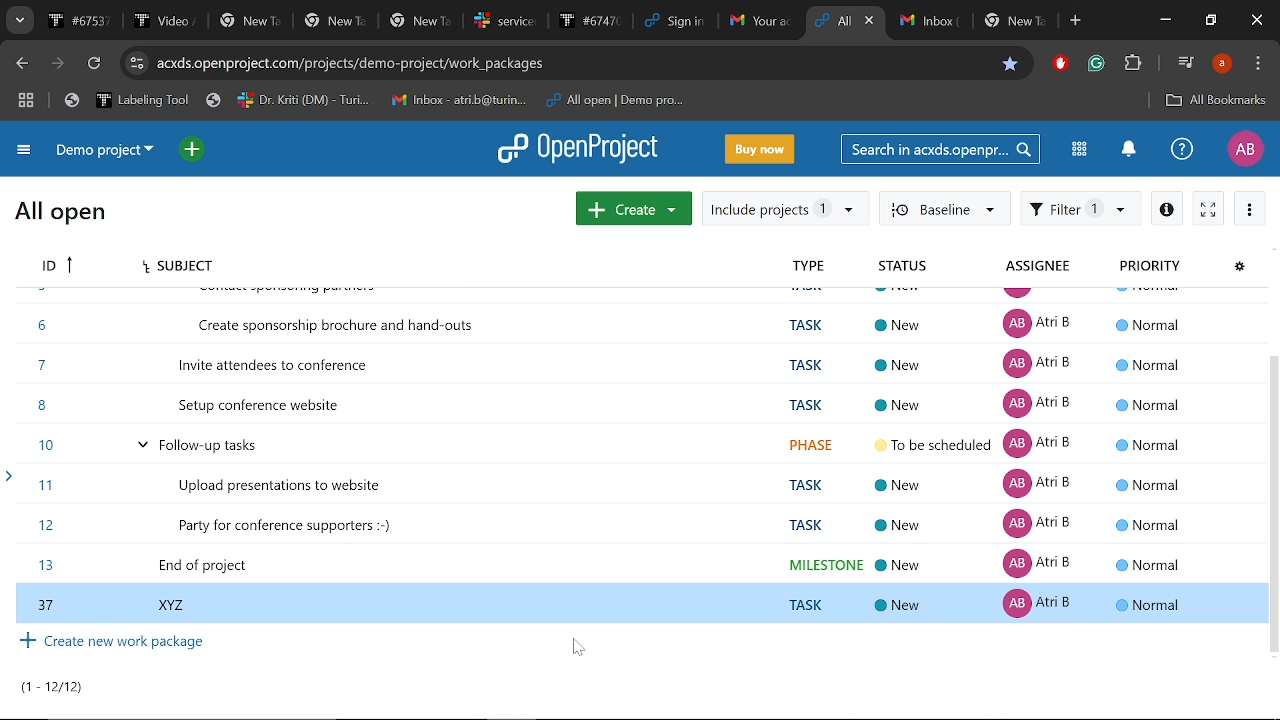  I want to click on Bookmarked tabs, so click(380, 101).